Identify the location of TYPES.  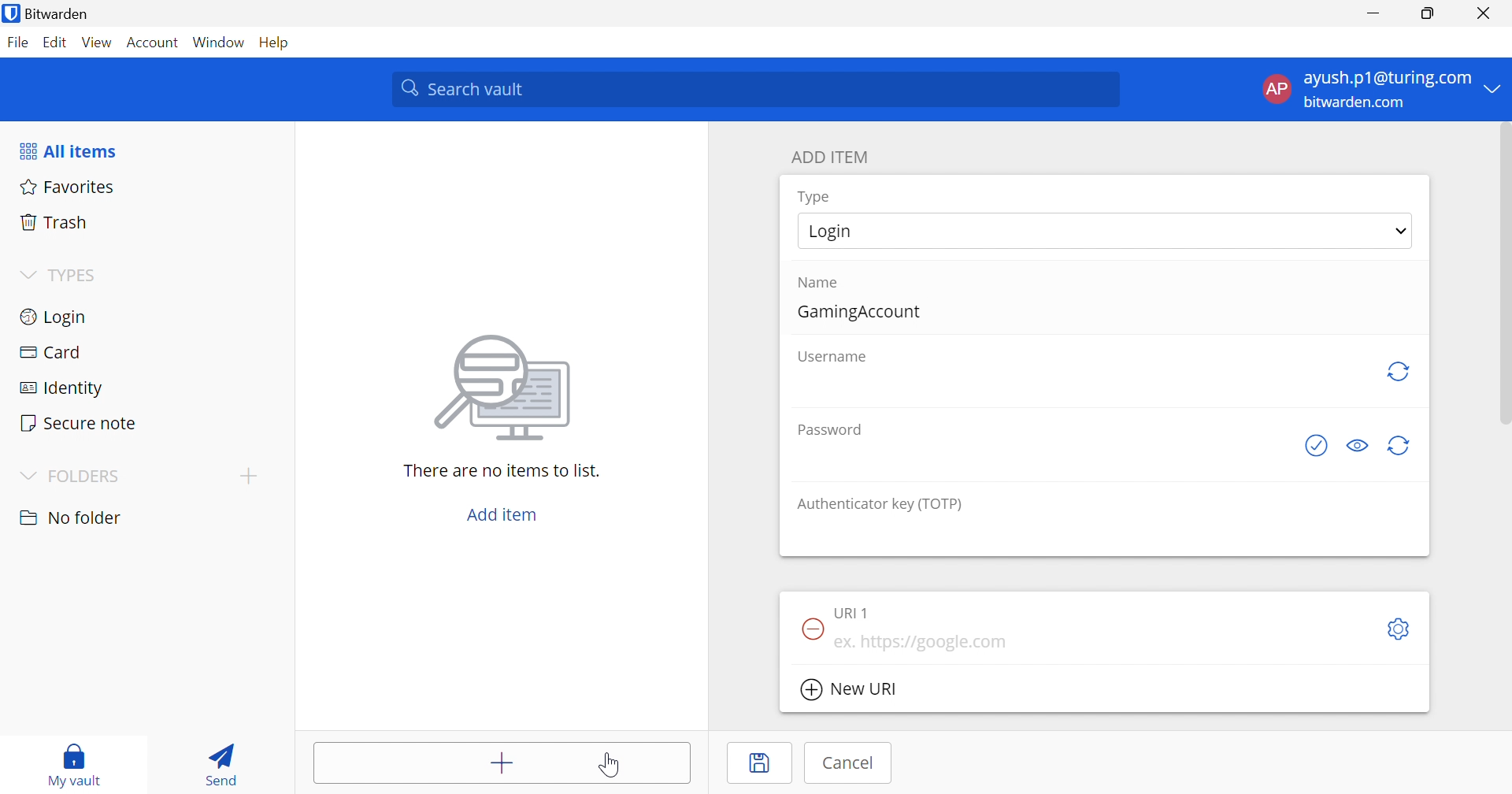
(77, 274).